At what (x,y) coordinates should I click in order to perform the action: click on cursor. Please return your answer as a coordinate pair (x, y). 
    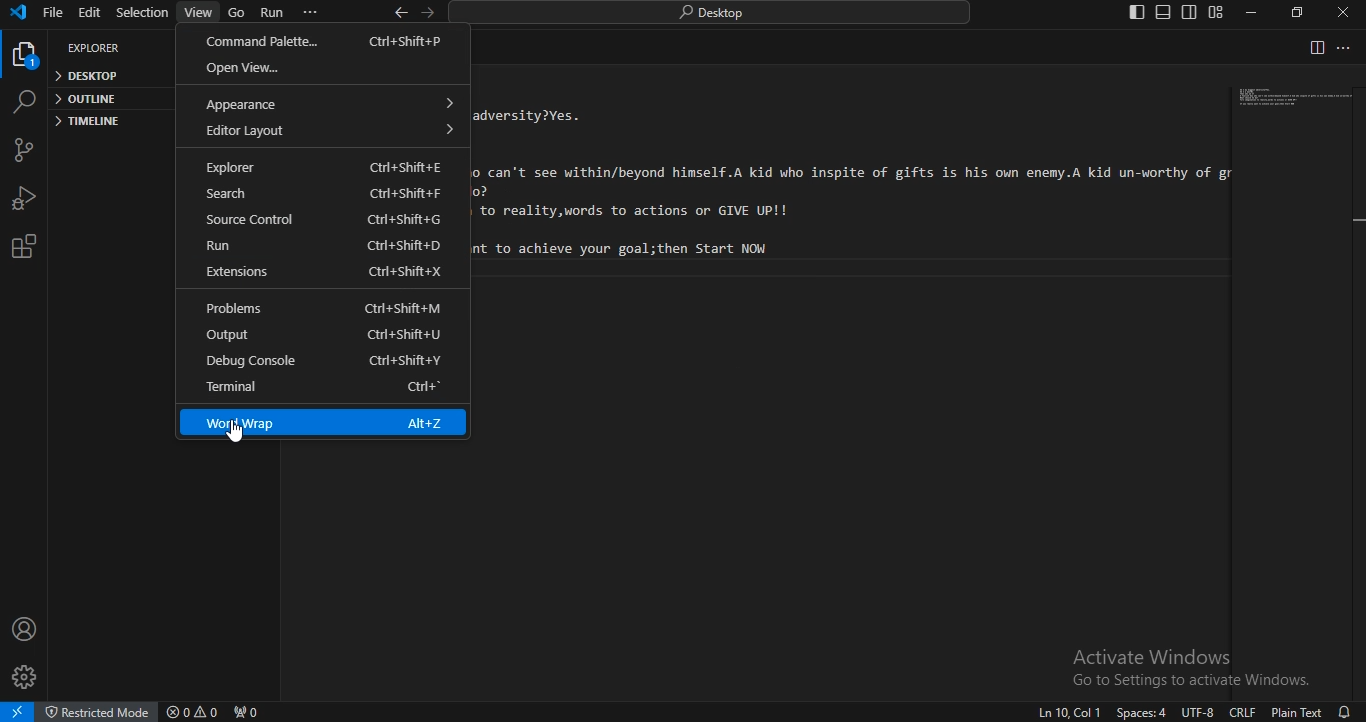
    Looking at the image, I should click on (240, 436).